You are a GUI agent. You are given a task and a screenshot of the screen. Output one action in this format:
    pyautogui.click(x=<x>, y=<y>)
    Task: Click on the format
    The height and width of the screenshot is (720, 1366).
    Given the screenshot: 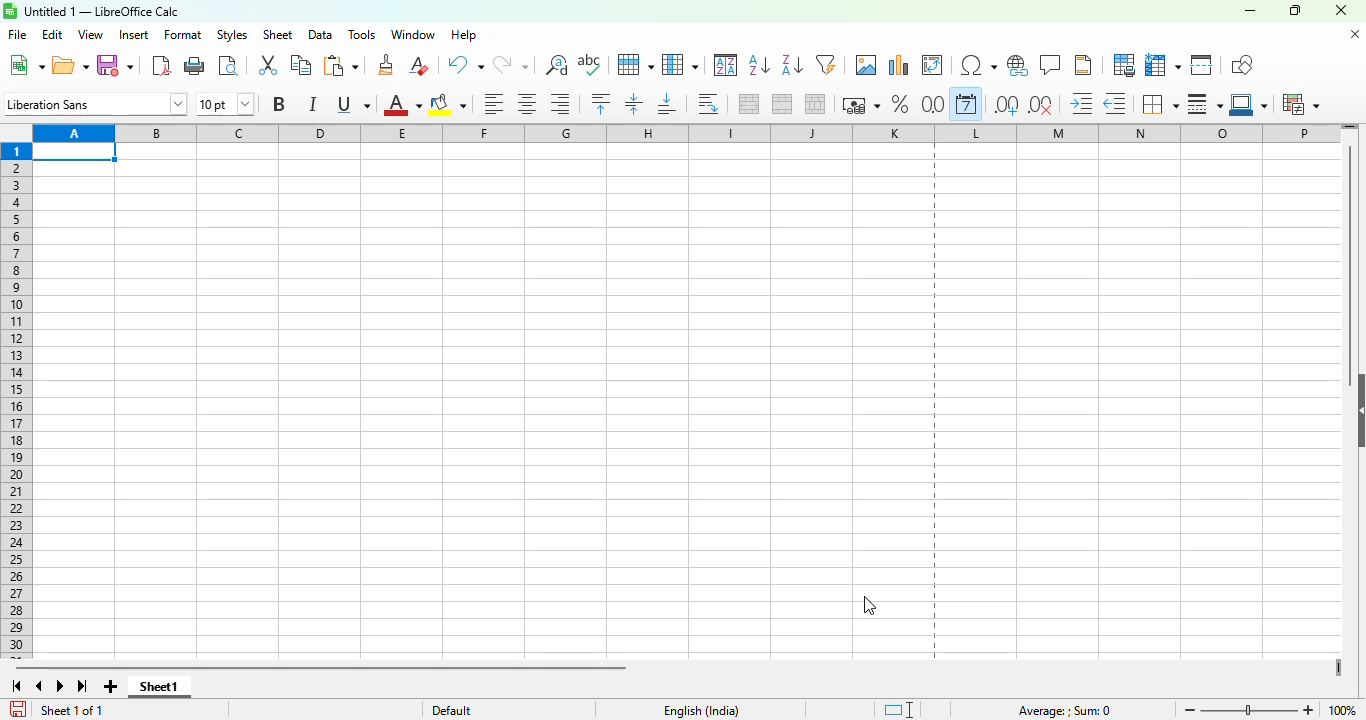 What is the action you would take?
    pyautogui.click(x=184, y=35)
    